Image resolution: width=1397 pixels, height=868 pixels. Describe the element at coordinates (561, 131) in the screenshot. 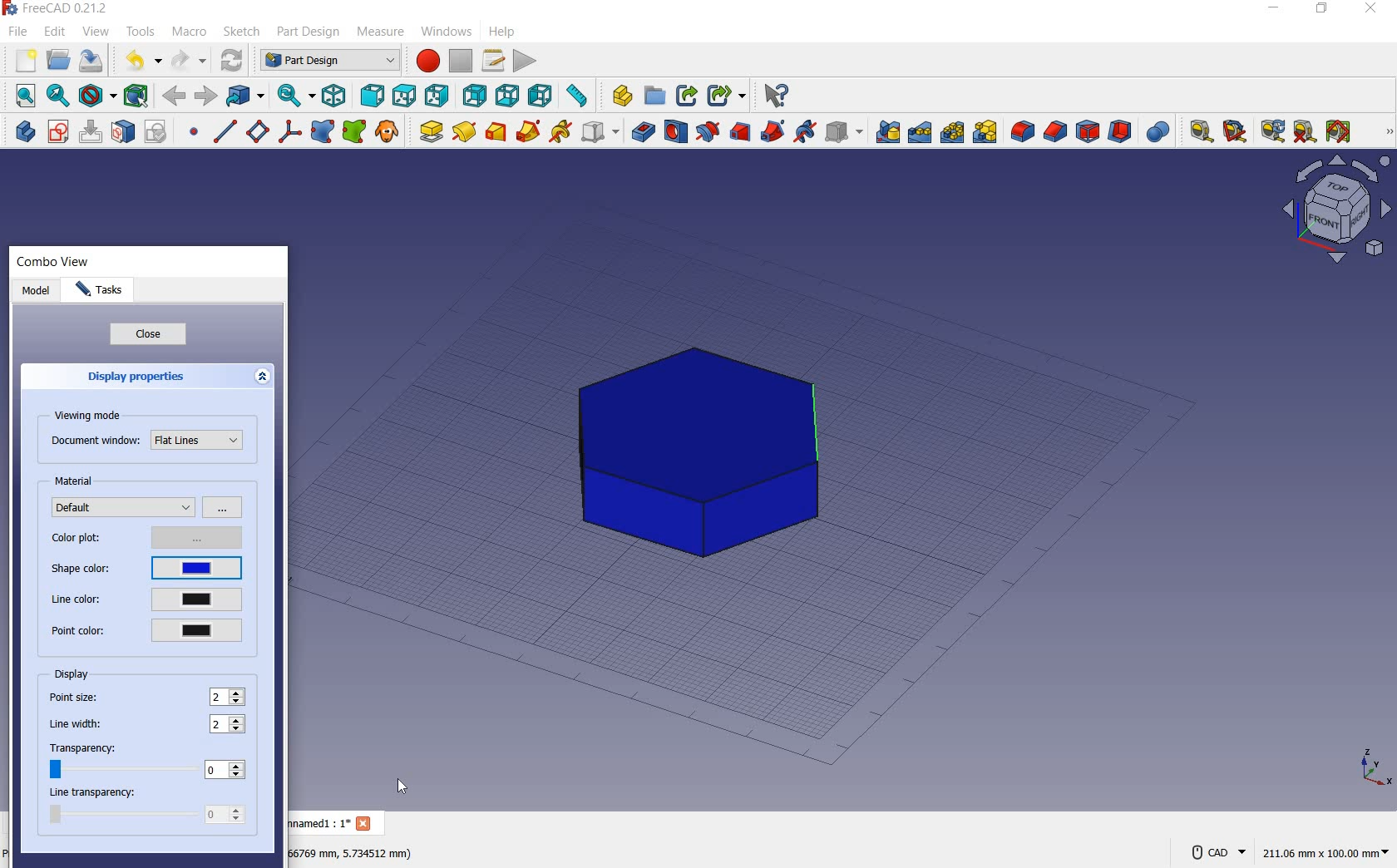

I see `additive helix` at that location.